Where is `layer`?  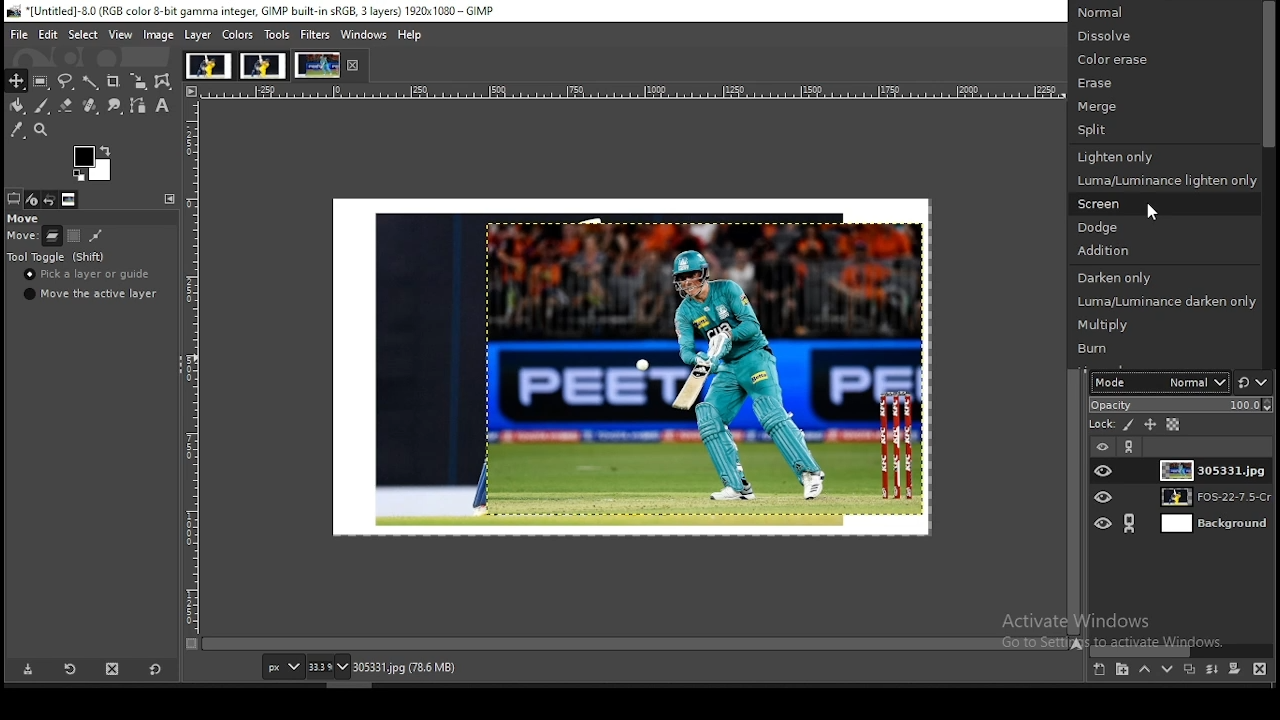
layer is located at coordinates (1216, 469).